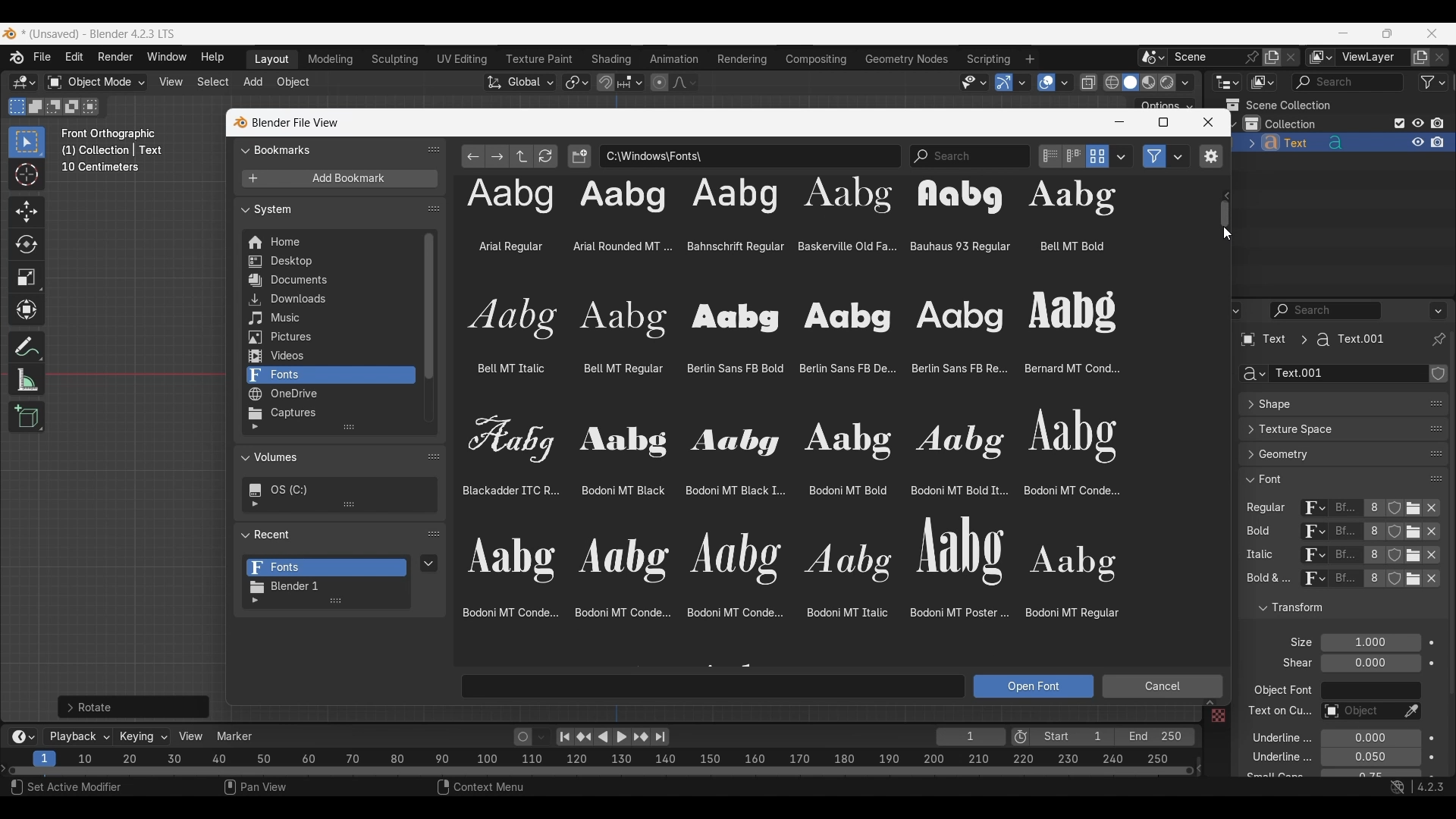 The image size is (1456, 819). What do you see at coordinates (142, 736) in the screenshot?
I see `Keying` at bounding box center [142, 736].